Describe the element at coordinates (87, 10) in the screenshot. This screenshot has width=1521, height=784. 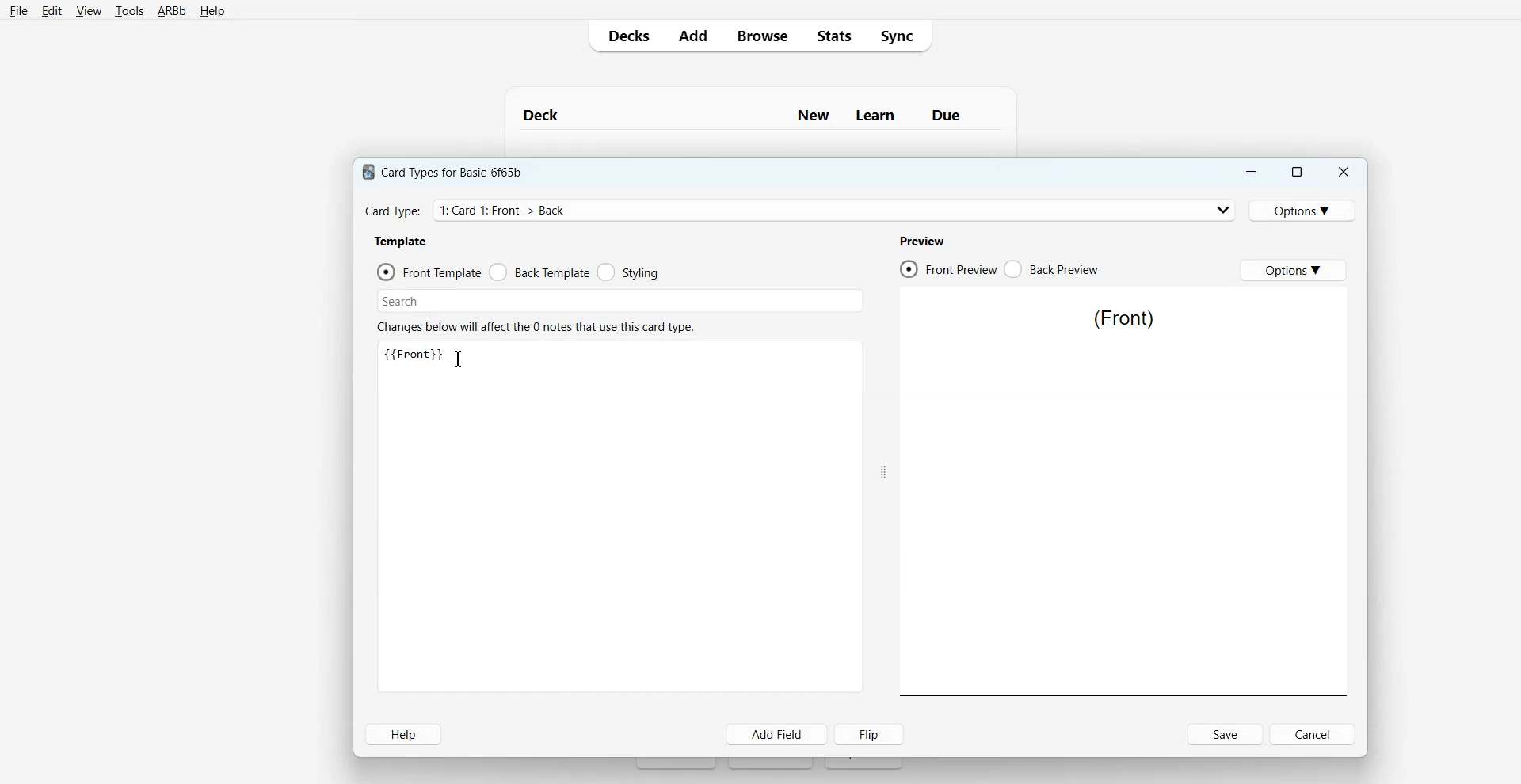
I see `View` at that location.